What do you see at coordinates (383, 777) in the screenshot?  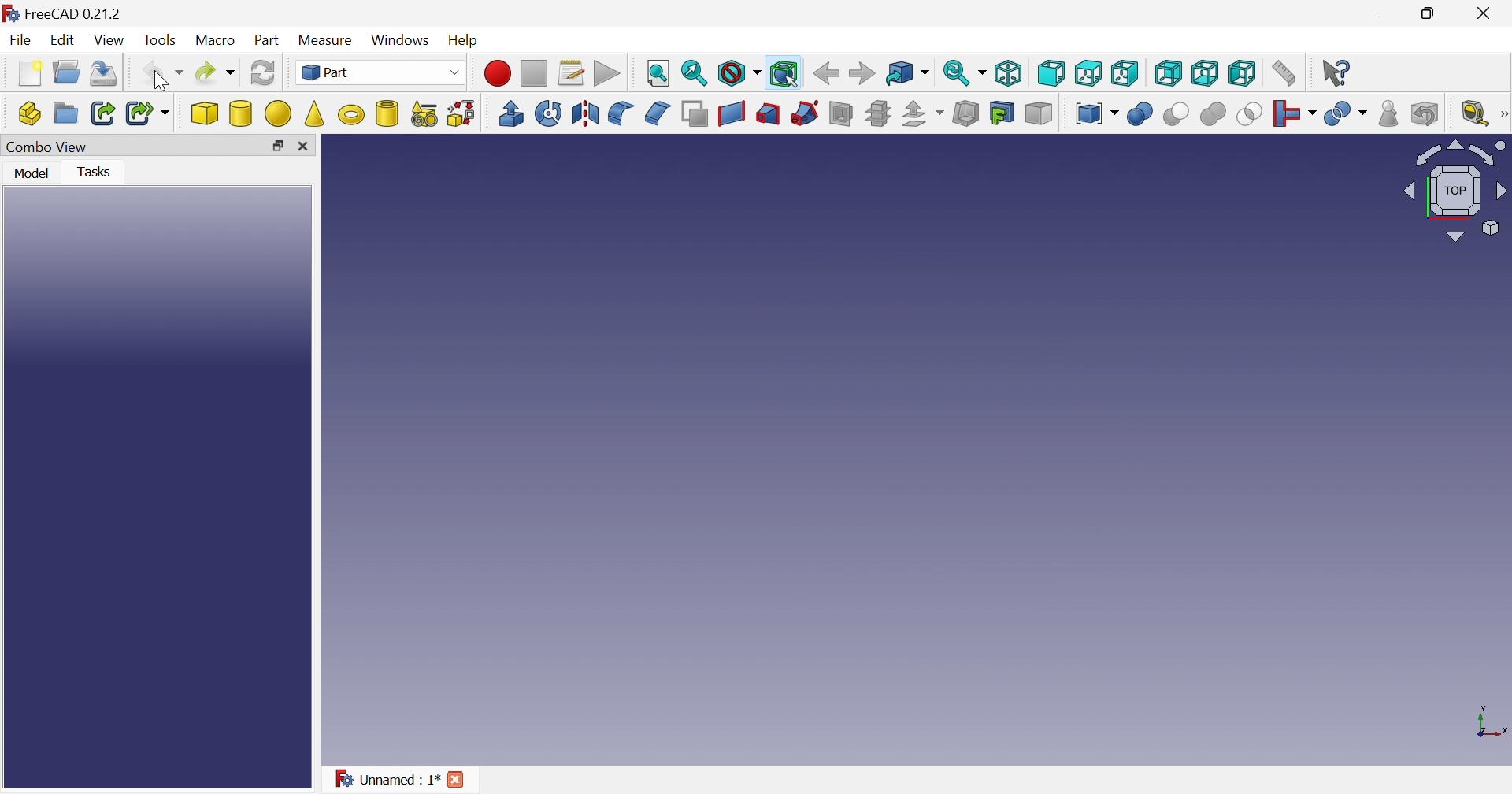 I see `Unnamed : 1*` at bounding box center [383, 777].